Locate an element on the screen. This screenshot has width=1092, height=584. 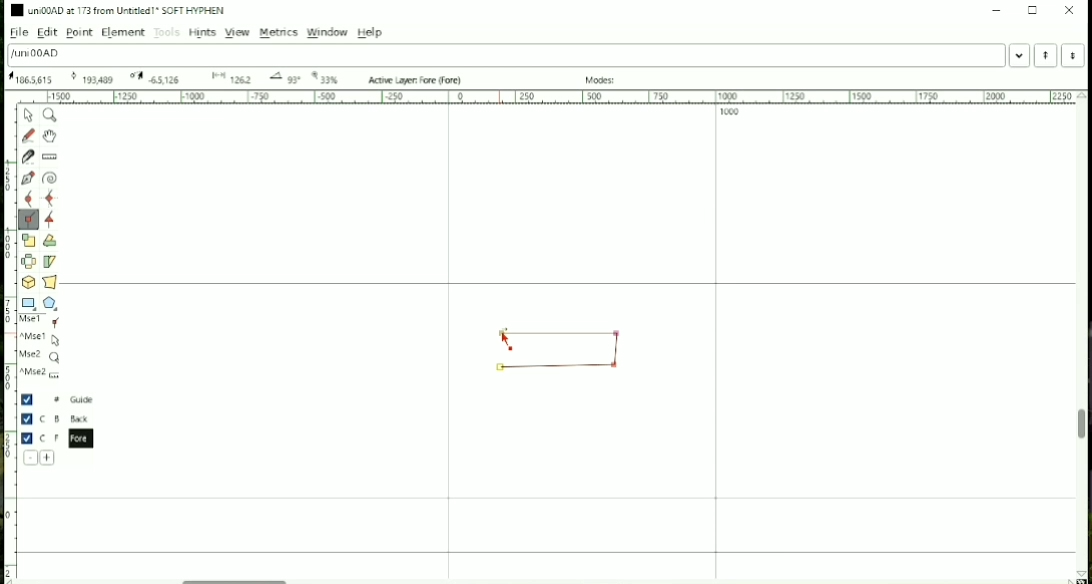
Measure distance, angle between points is located at coordinates (51, 157).